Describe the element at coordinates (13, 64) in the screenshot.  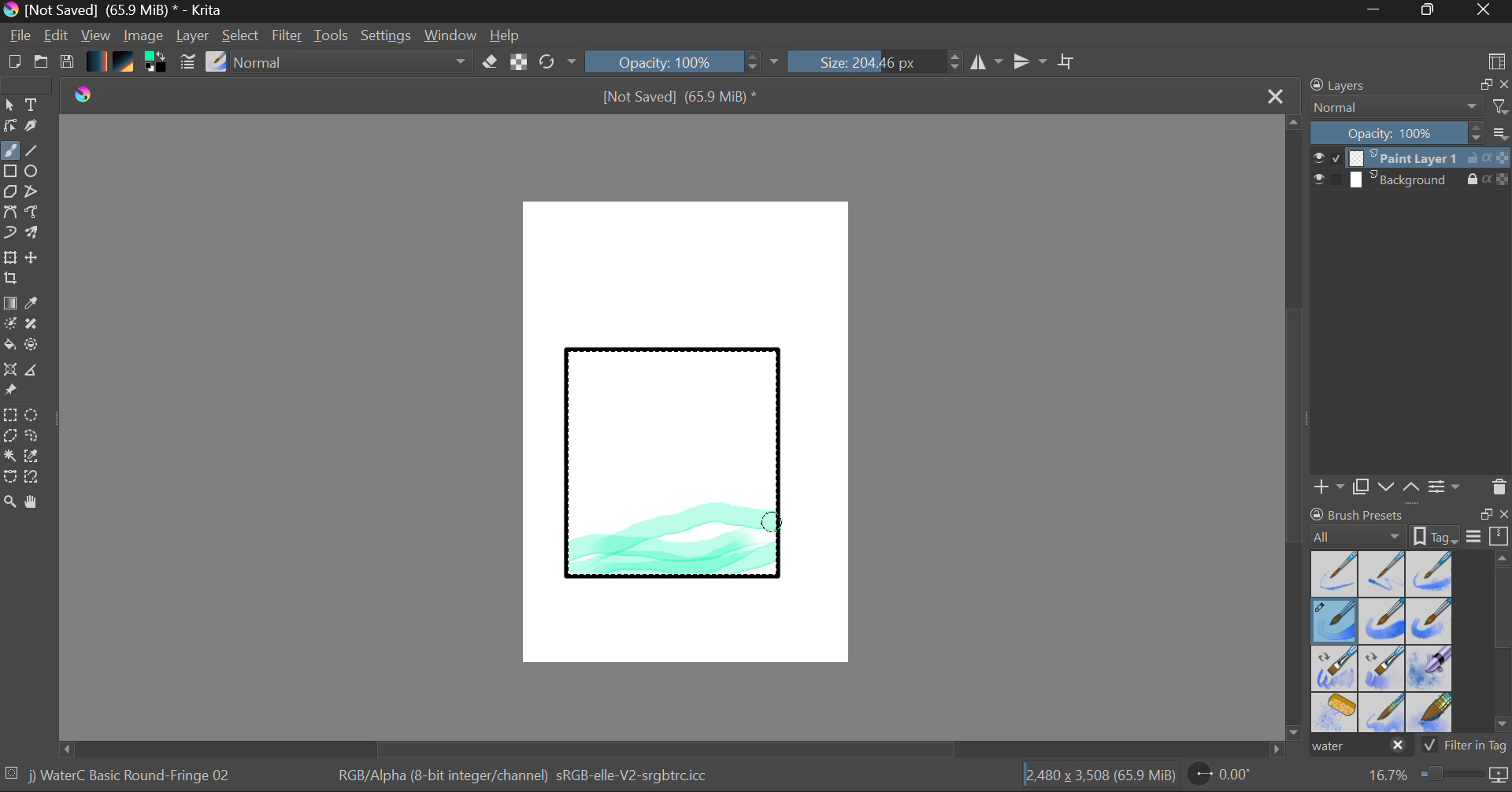
I see `New` at that location.